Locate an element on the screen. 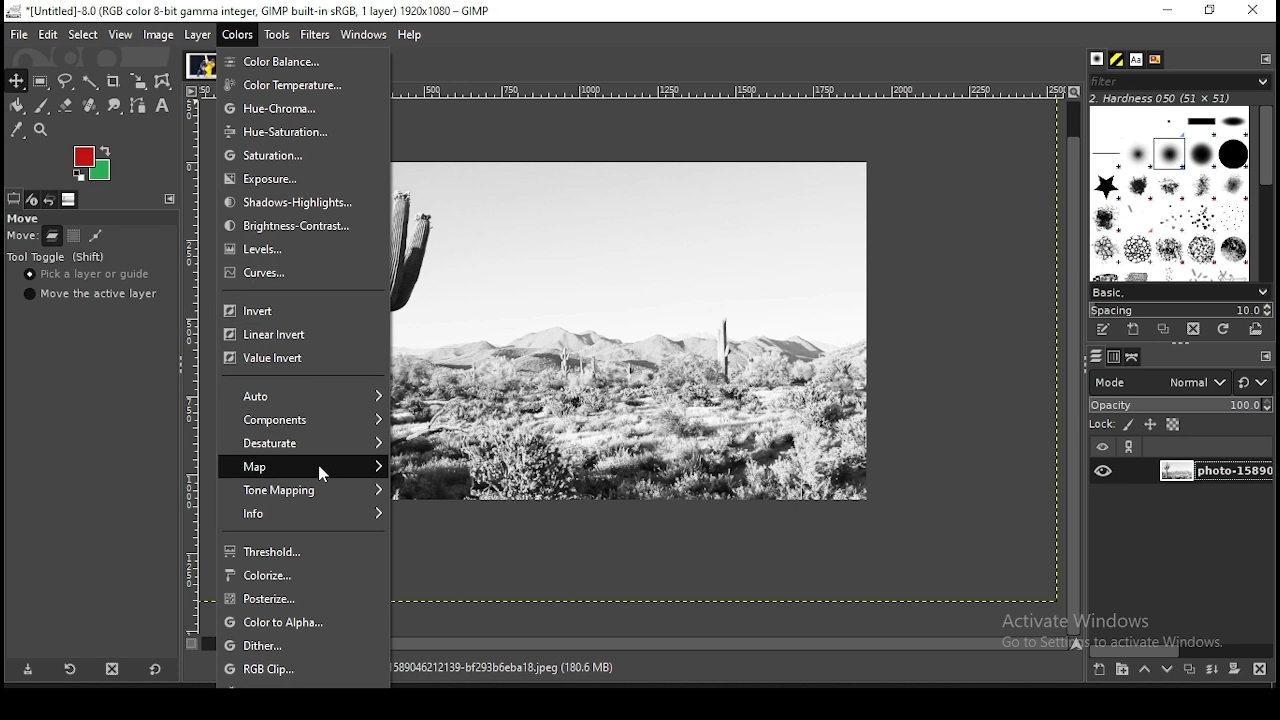 The image size is (1280, 720). scroll bar is located at coordinates (732, 642).